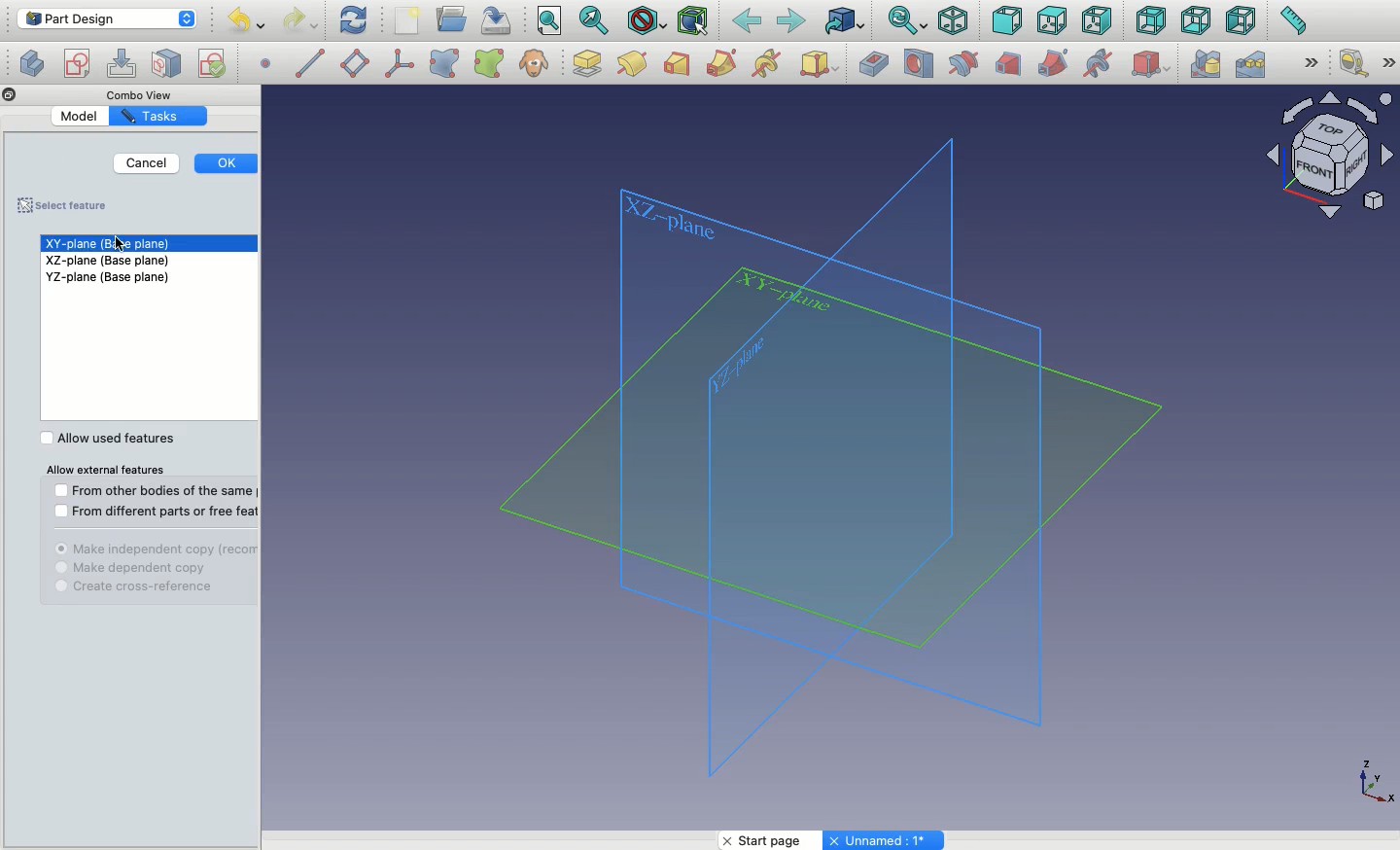 The image size is (1400, 850). What do you see at coordinates (1204, 64) in the screenshot?
I see `Mirrored pattern` at bounding box center [1204, 64].